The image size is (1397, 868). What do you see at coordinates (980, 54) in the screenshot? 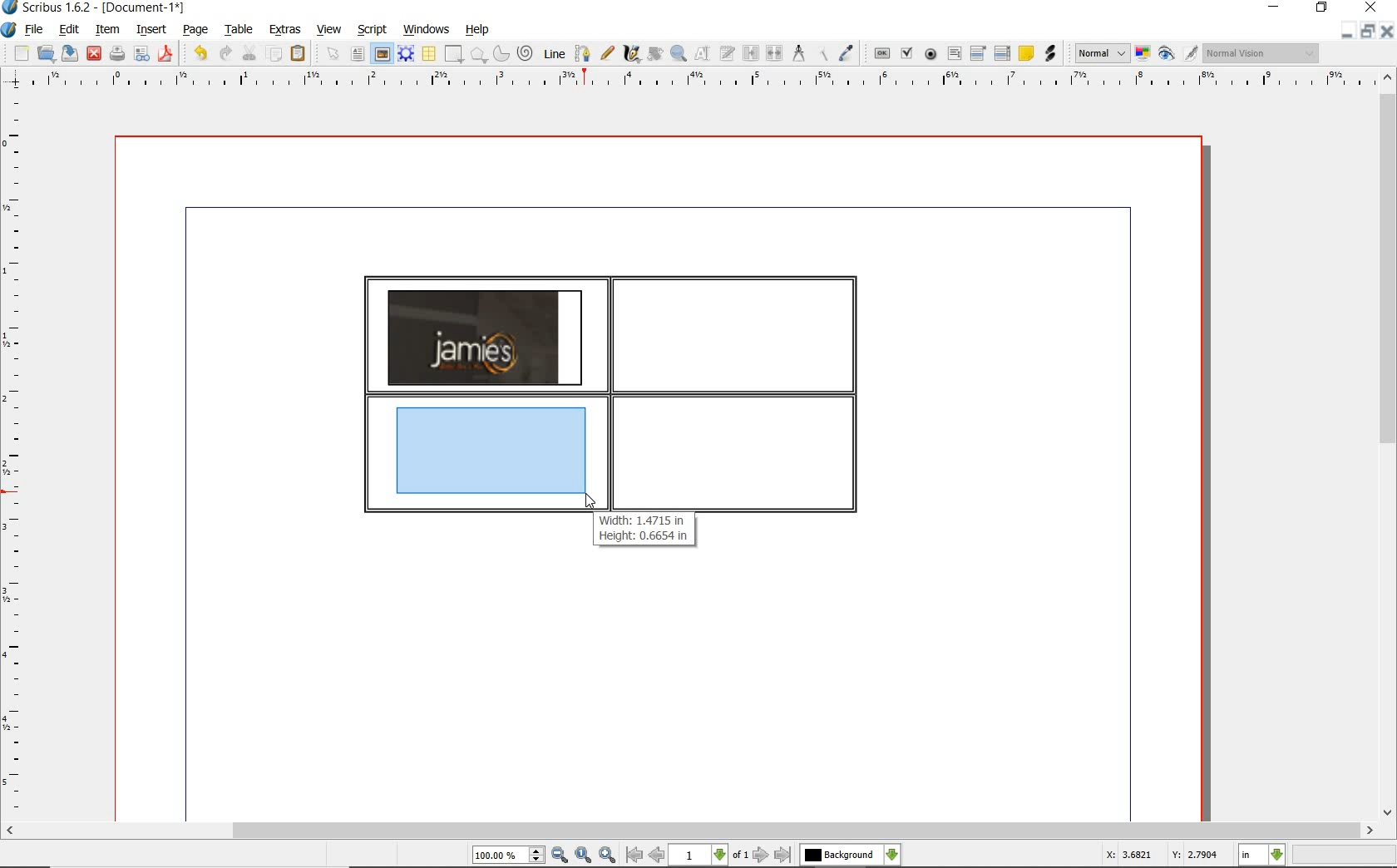
I see `pdf combo box` at bounding box center [980, 54].